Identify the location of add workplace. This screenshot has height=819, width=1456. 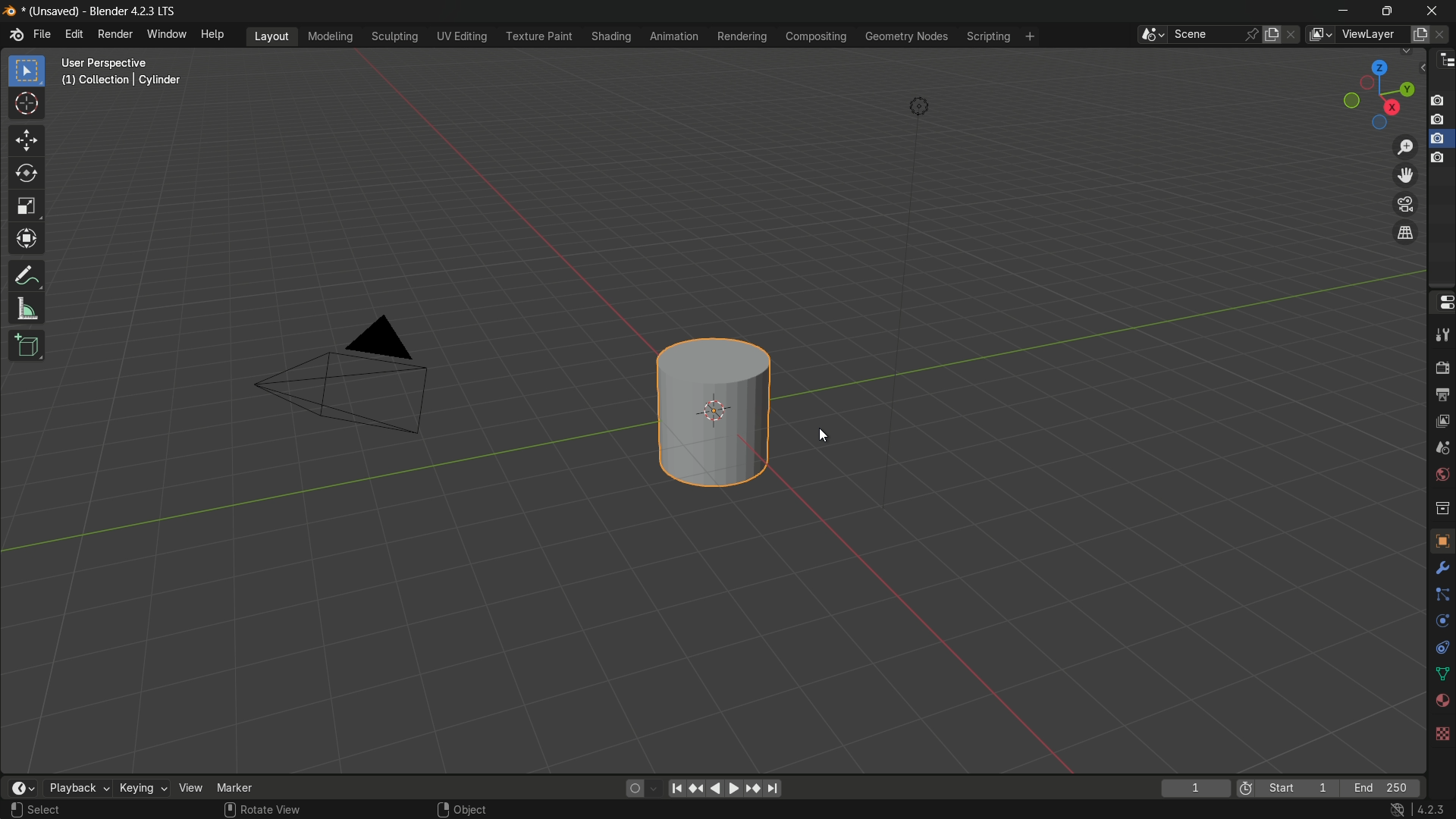
(1032, 36).